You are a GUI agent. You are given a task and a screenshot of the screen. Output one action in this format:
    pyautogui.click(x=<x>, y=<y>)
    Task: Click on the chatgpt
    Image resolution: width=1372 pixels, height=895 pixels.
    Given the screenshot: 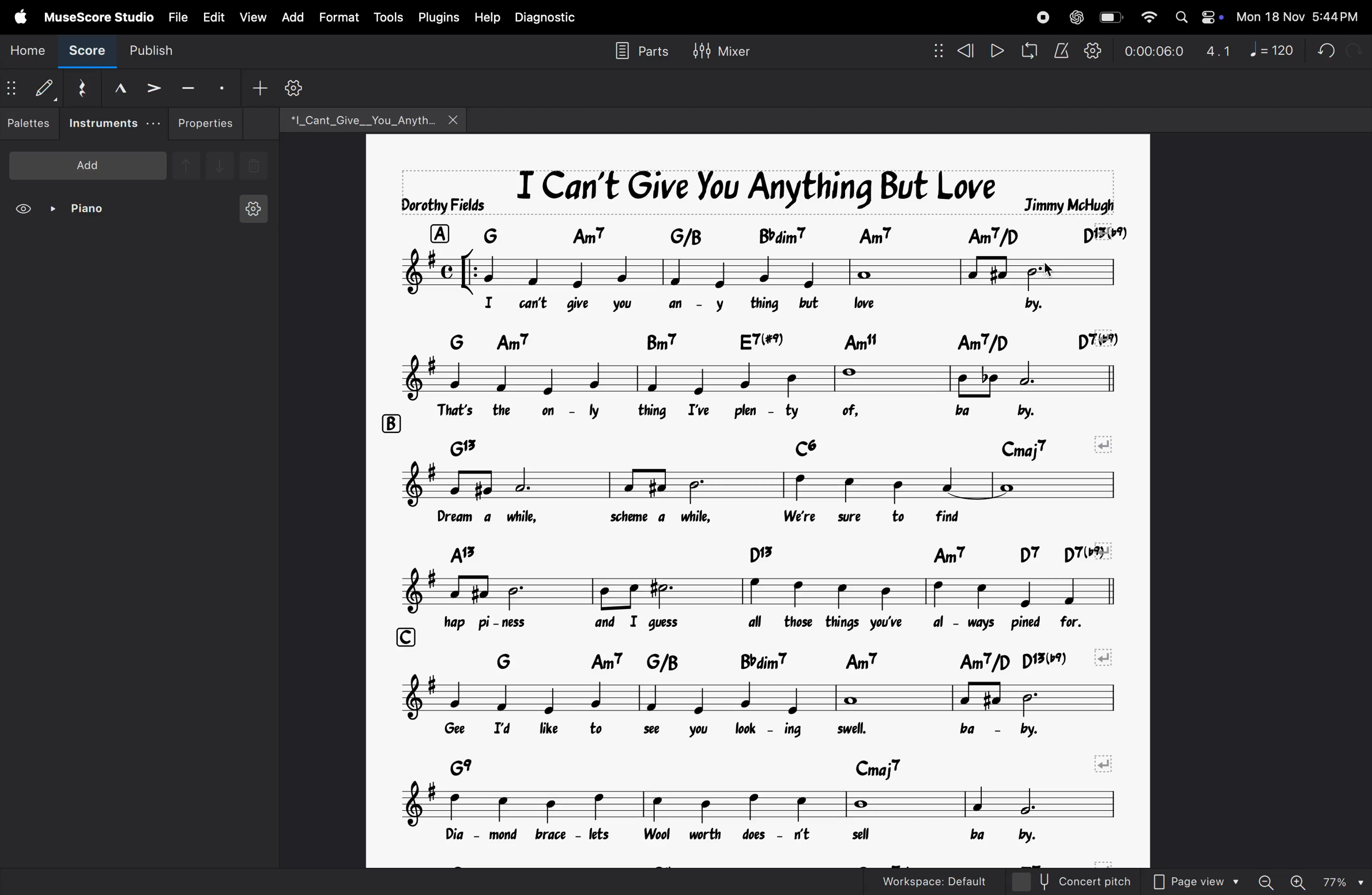 What is the action you would take?
    pyautogui.click(x=1075, y=16)
    